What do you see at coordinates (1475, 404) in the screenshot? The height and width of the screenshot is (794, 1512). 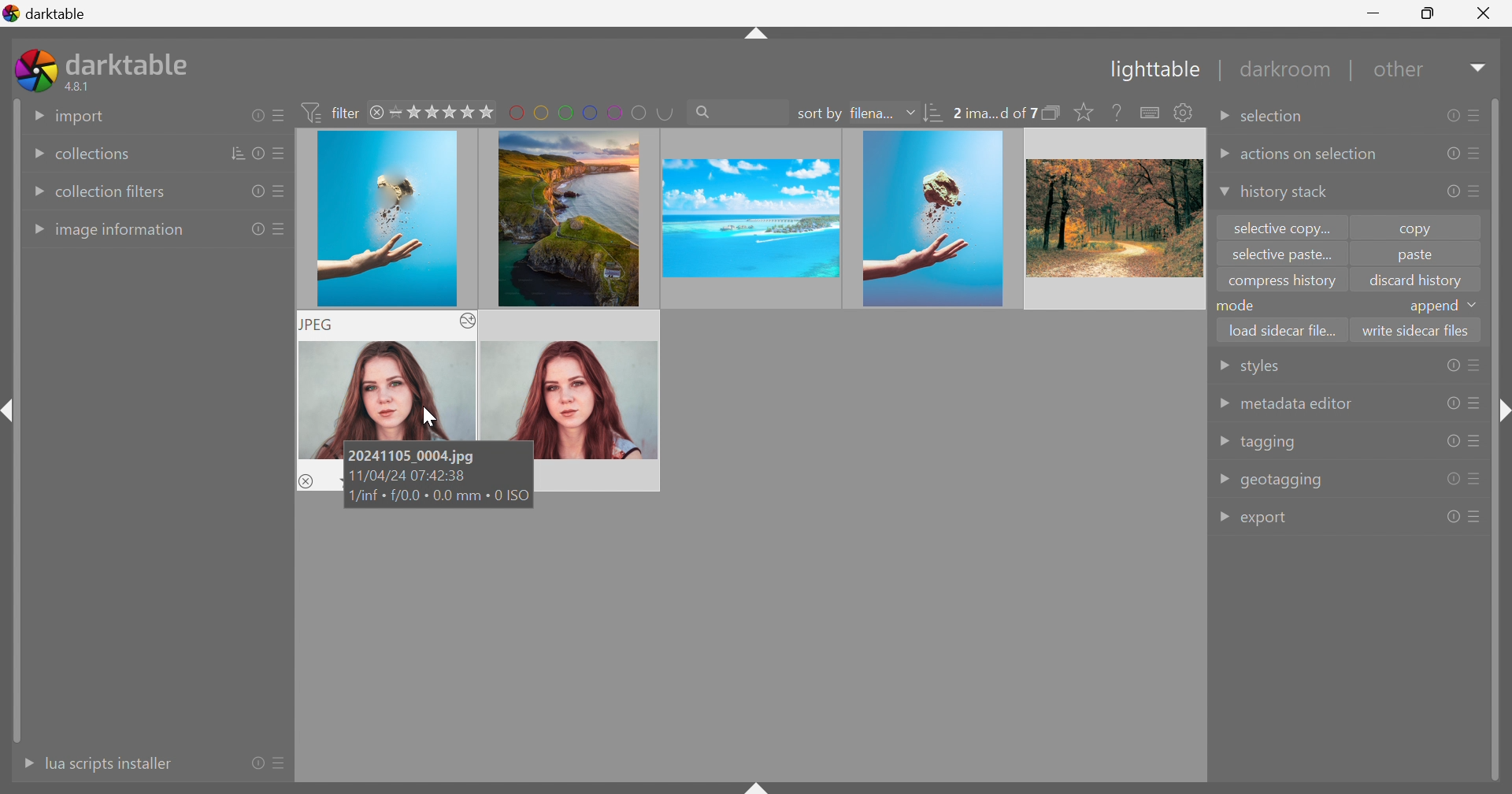 I see `presets` at bounding box center [1475, 404].